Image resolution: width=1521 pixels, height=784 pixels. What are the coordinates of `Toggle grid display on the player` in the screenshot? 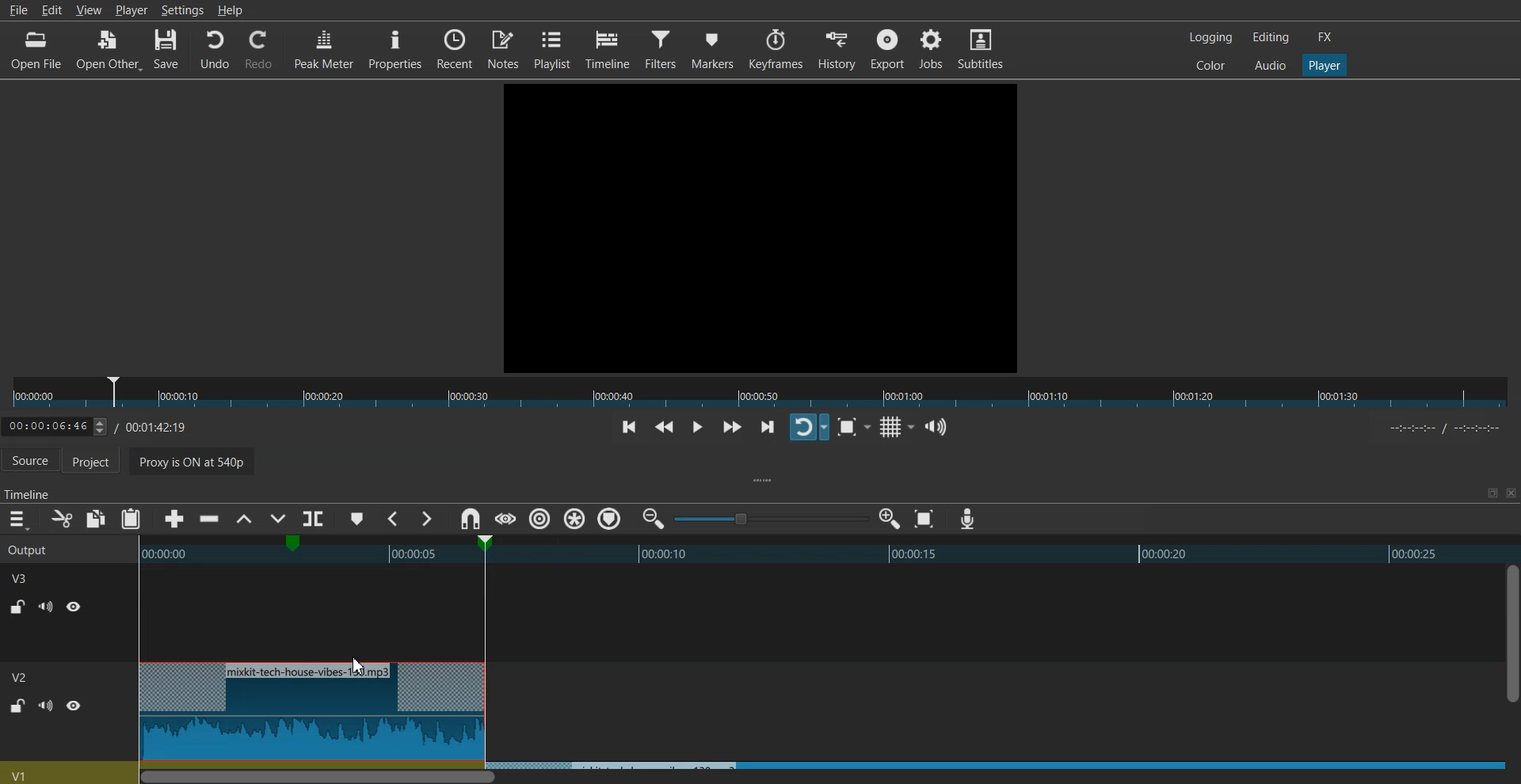 It's located at (894, 428).